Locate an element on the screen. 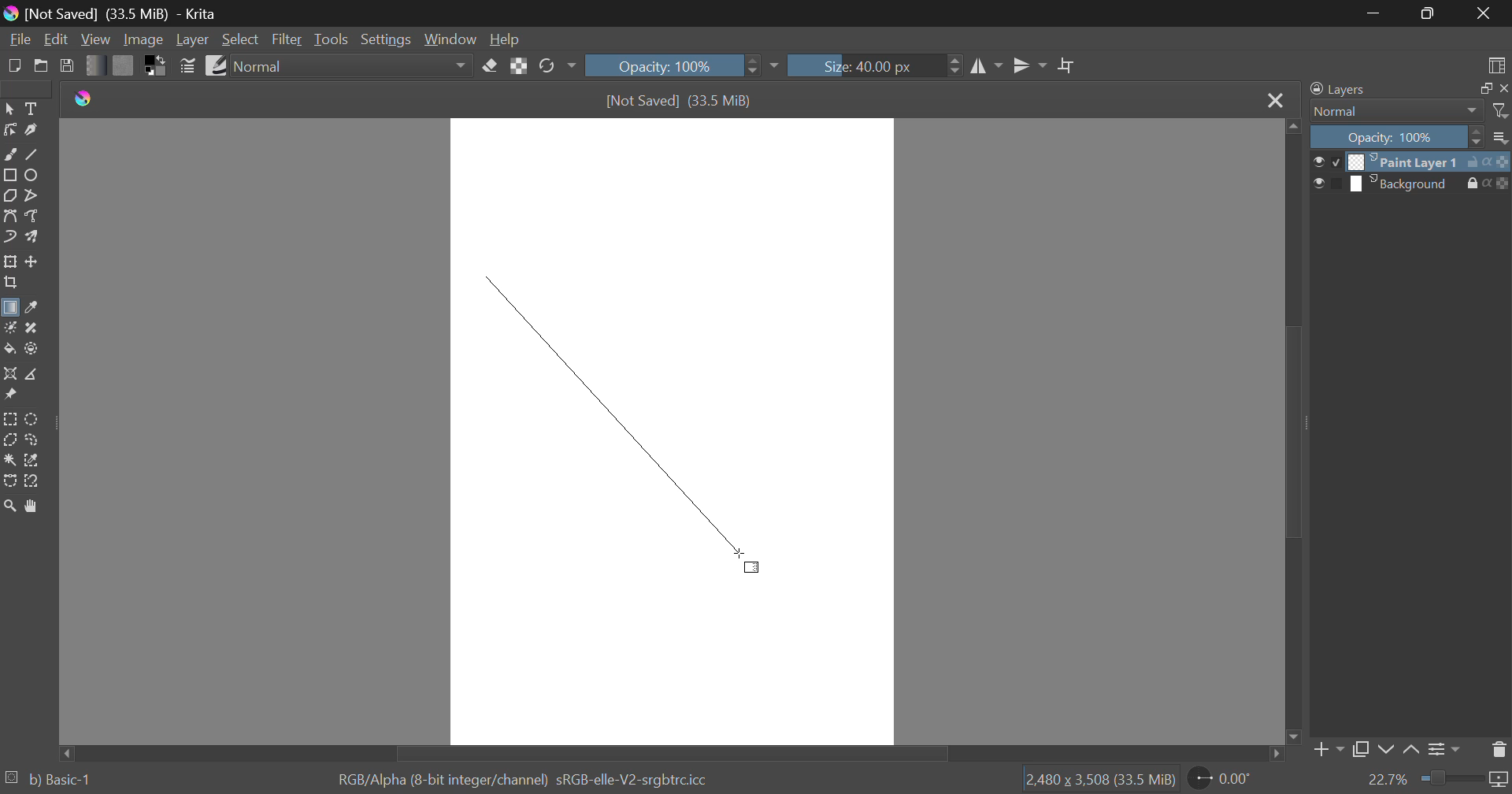  Fill is located at coordinates (9, 349).